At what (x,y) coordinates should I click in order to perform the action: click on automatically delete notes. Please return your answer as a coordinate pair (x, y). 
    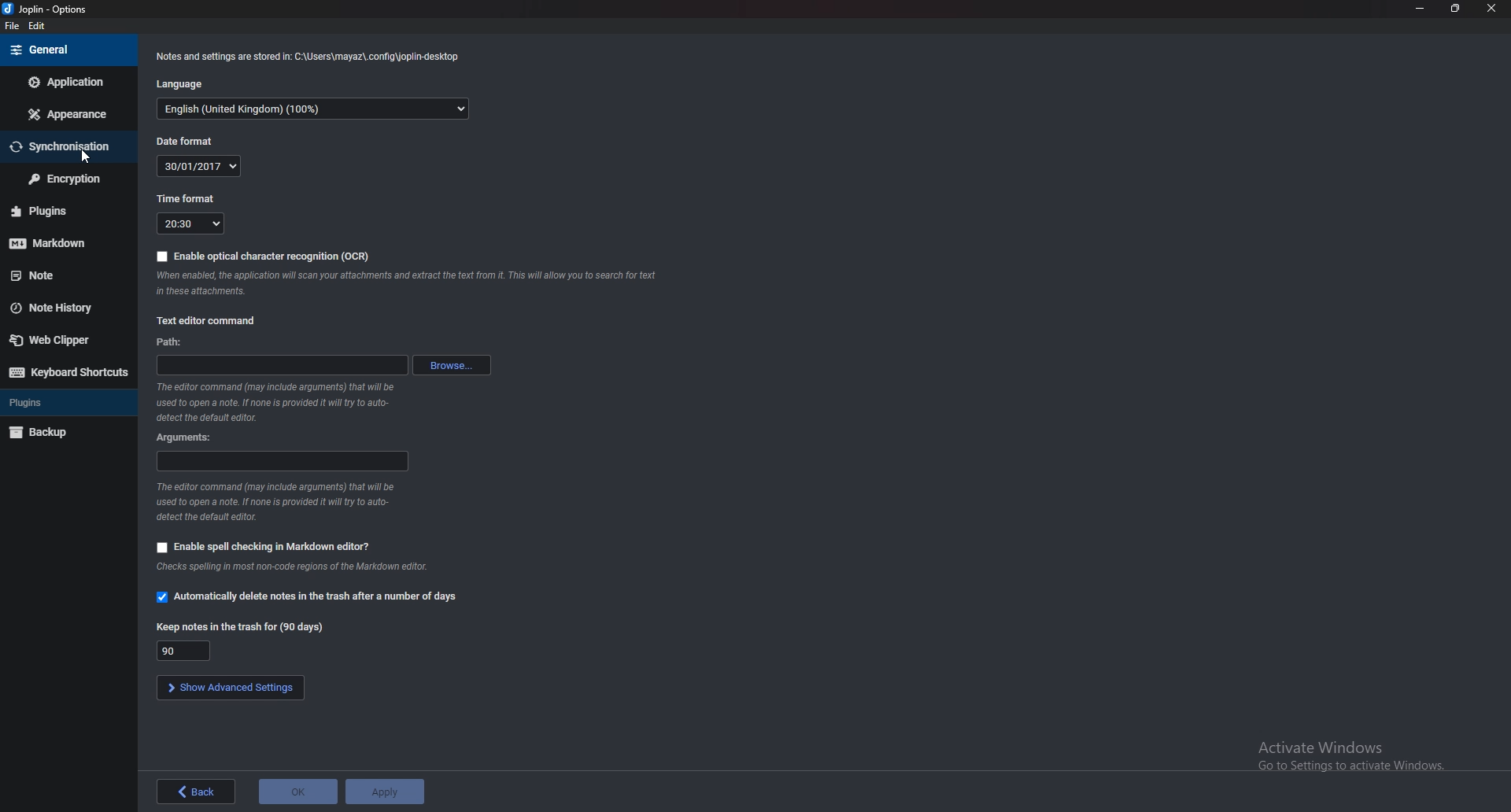
    Looking at the image, I should click on (306, 596).